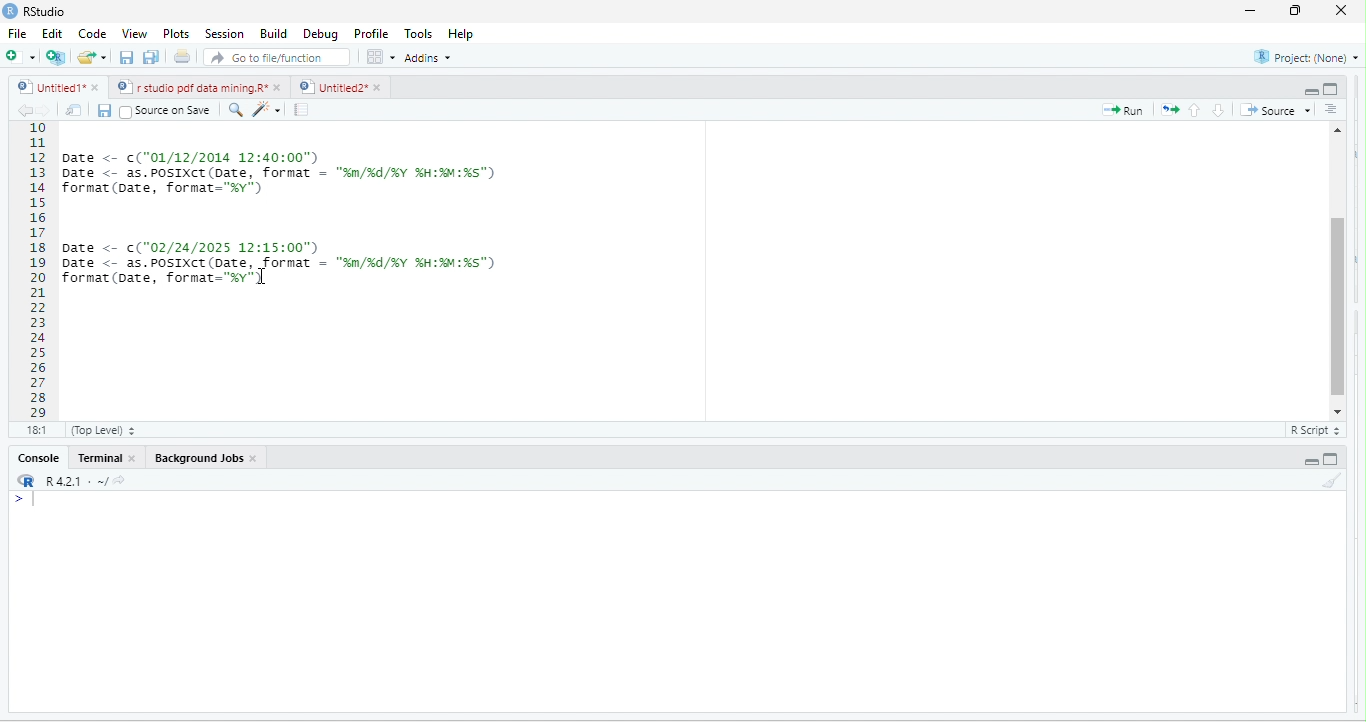  Describe the element at coordinates (462, 35) in the screenshot. I see `Help` at that location.